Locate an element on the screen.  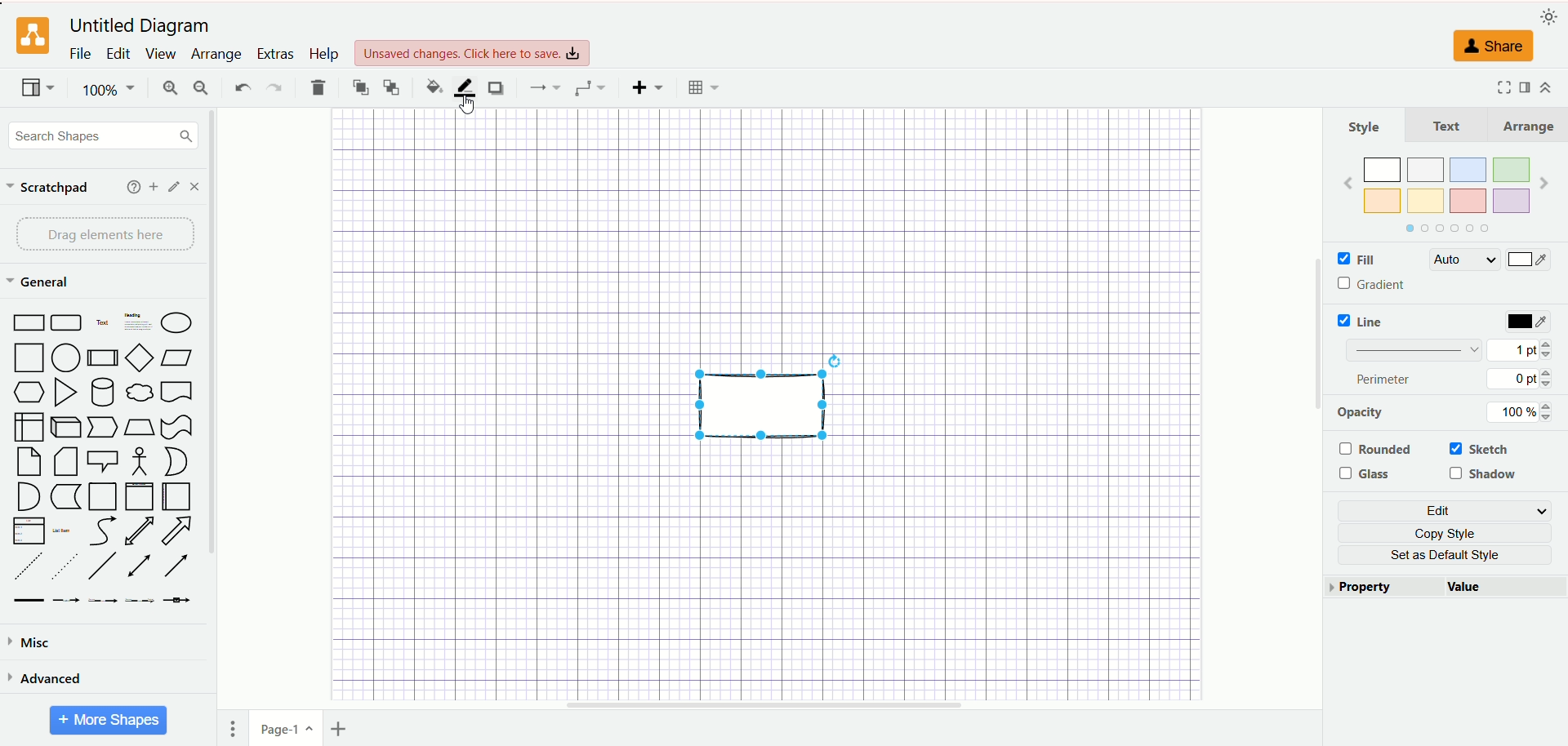
style is located at coordinates (1369, 126).